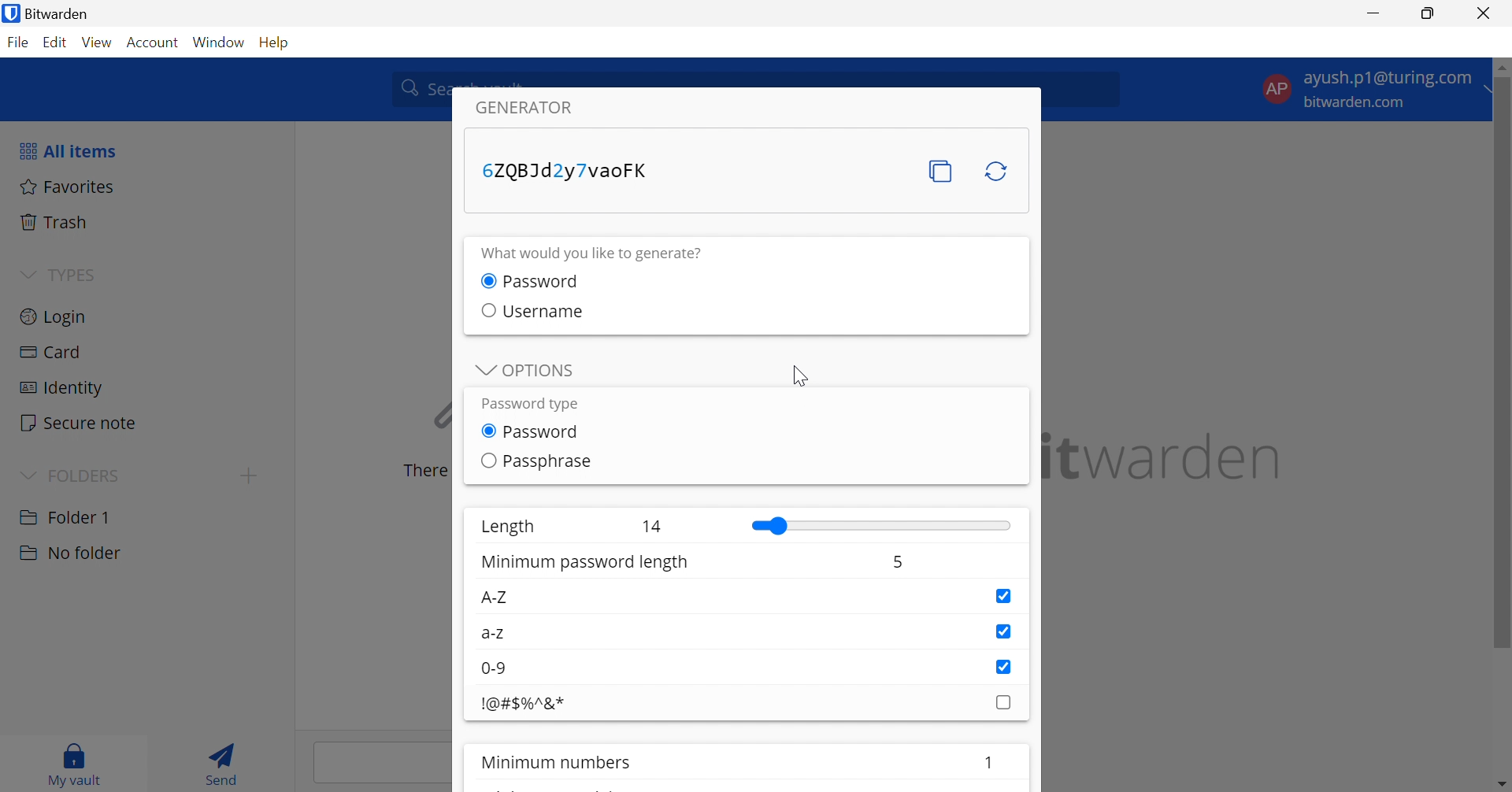 Image resolution: width=1512 pixels, height=792 pixels. What do you see at coordinates (87, 473) in the screenshot?
I see `FOLDERS` at bounding box center [87, 473].